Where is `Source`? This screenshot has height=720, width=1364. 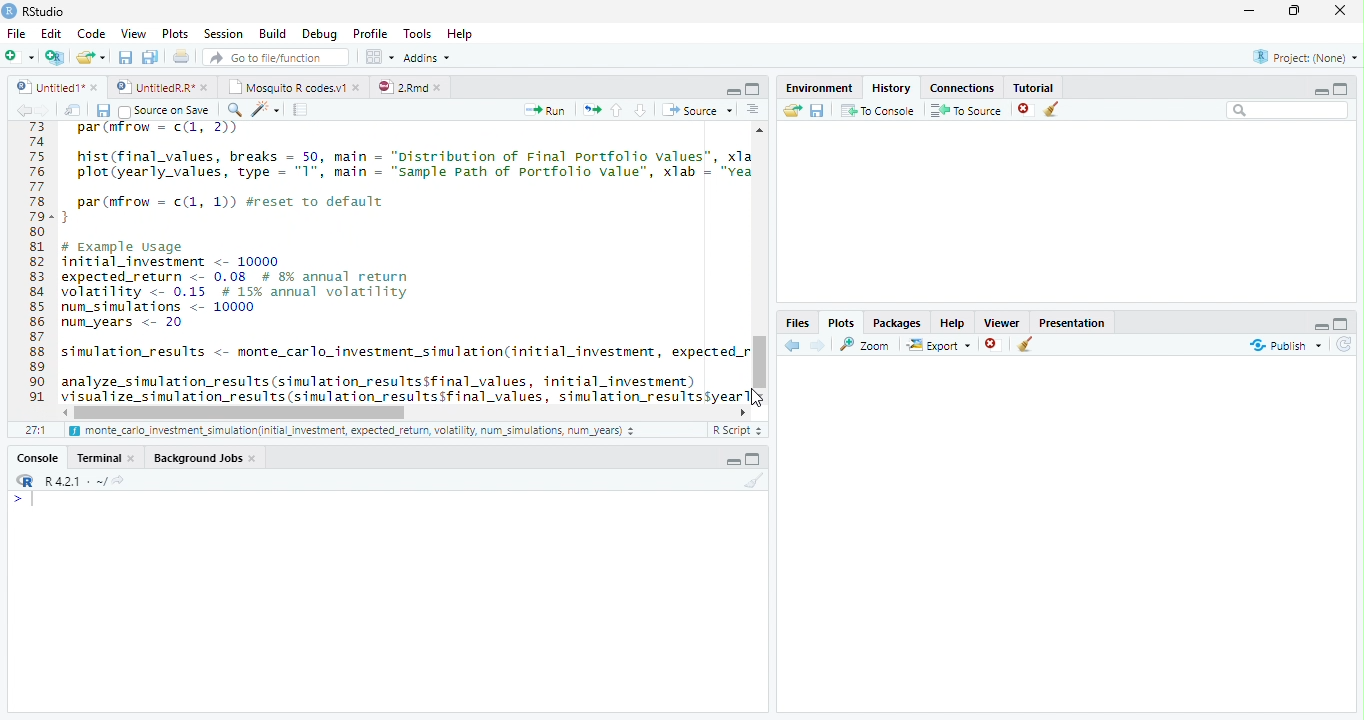 Source is located at coordinates (696, 109).